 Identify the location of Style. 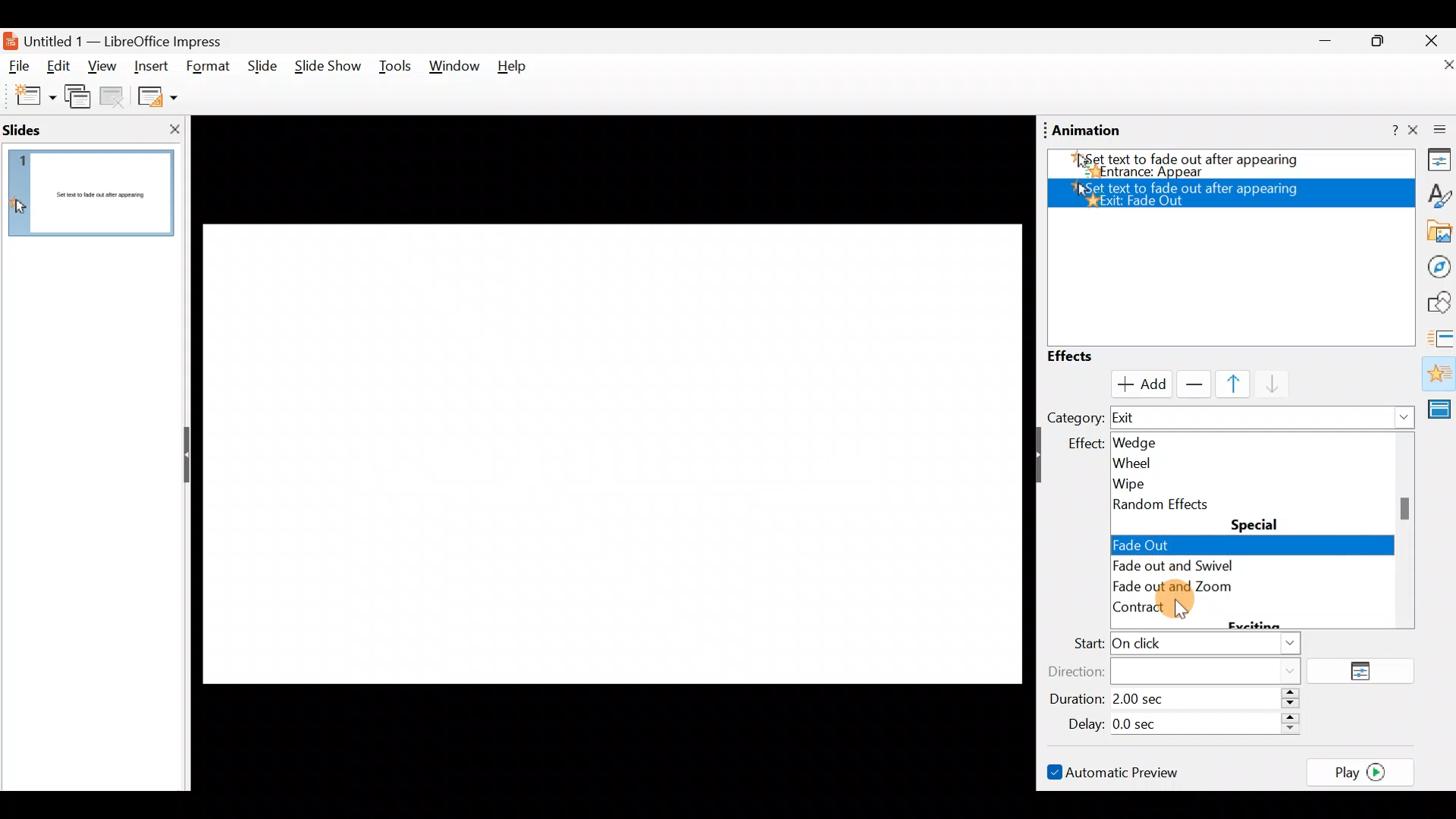
(1434, 194).